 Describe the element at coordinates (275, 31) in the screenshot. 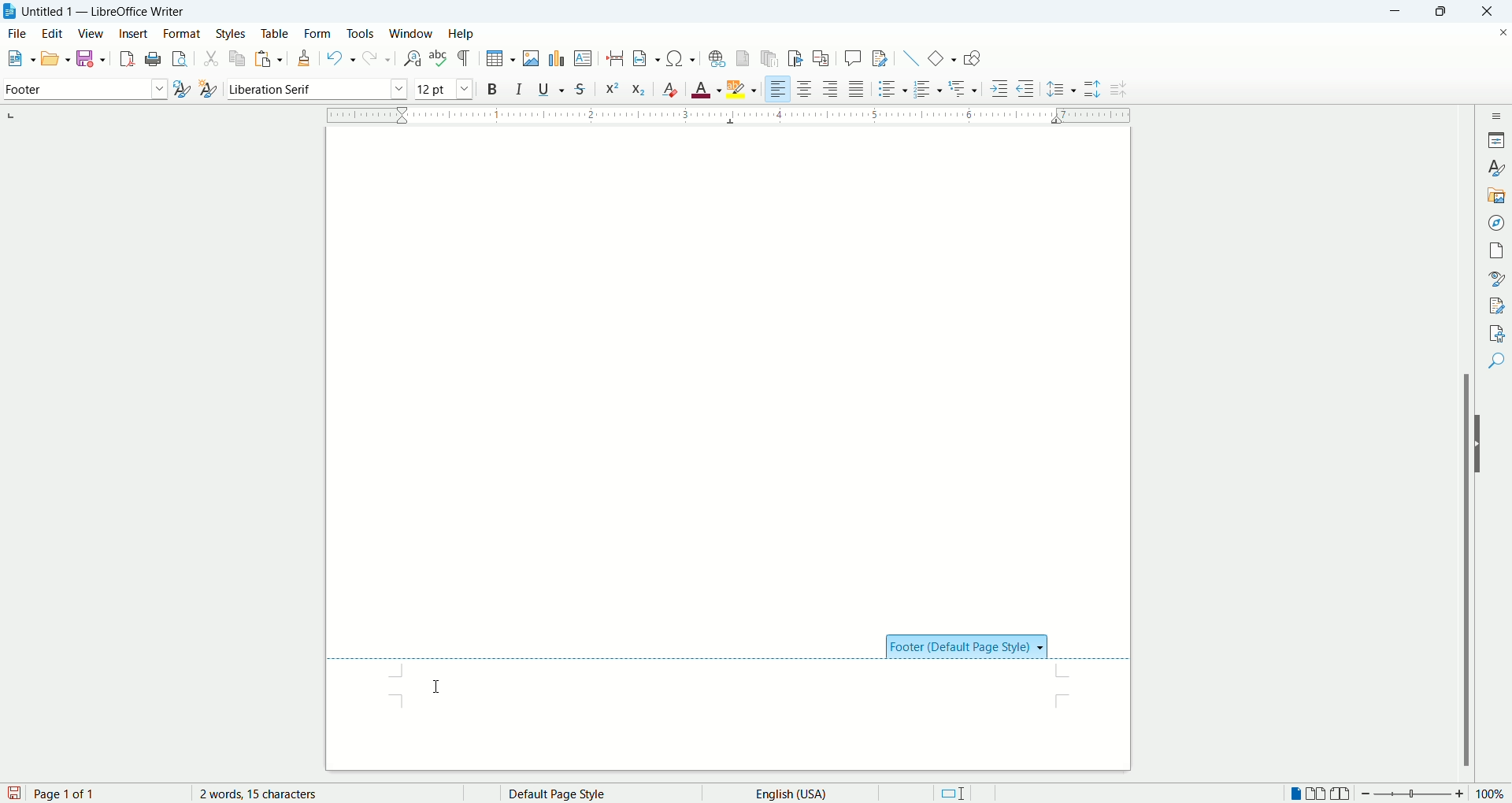

I see `table` at that location.